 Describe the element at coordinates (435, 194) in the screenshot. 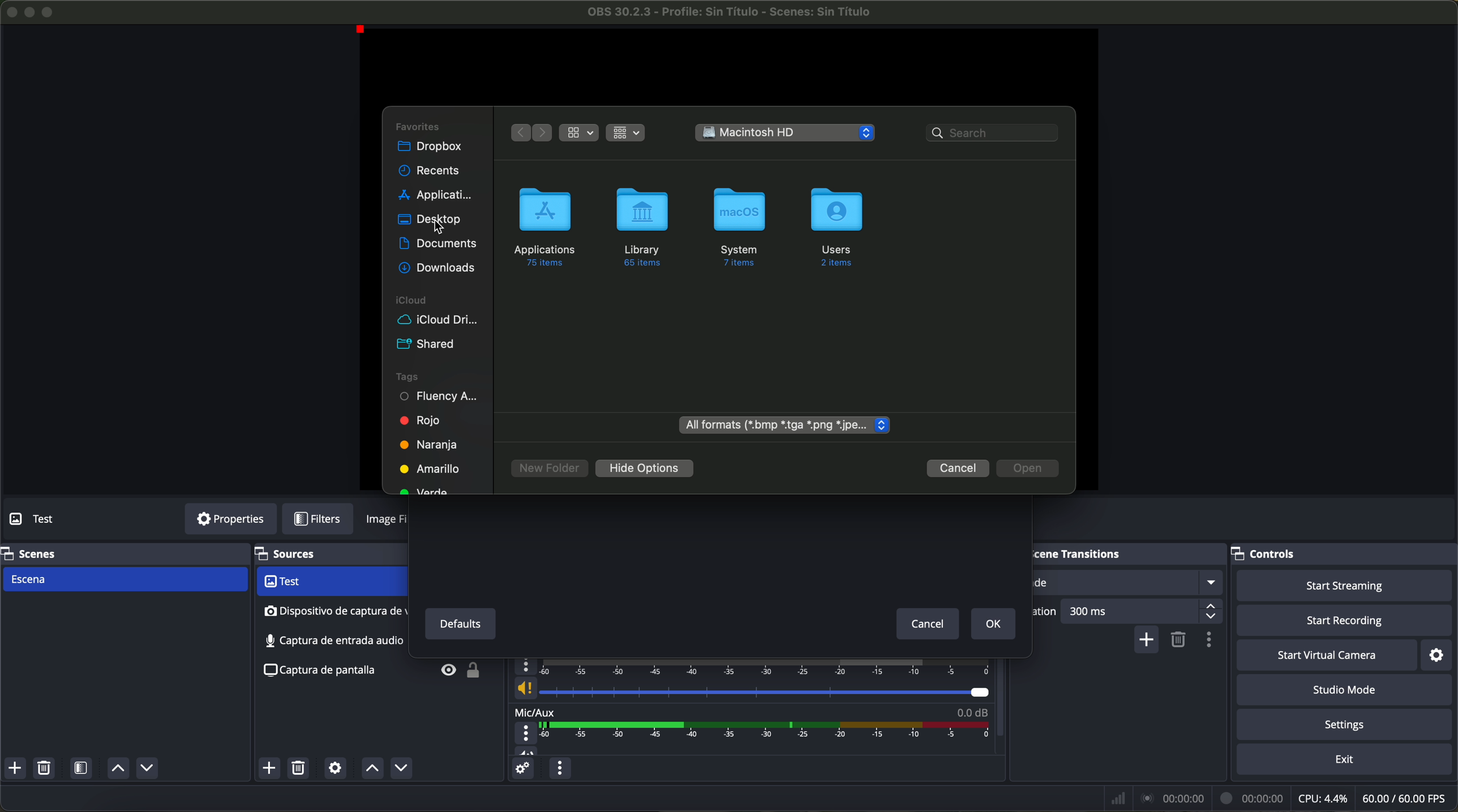

I see `applications` at that location.